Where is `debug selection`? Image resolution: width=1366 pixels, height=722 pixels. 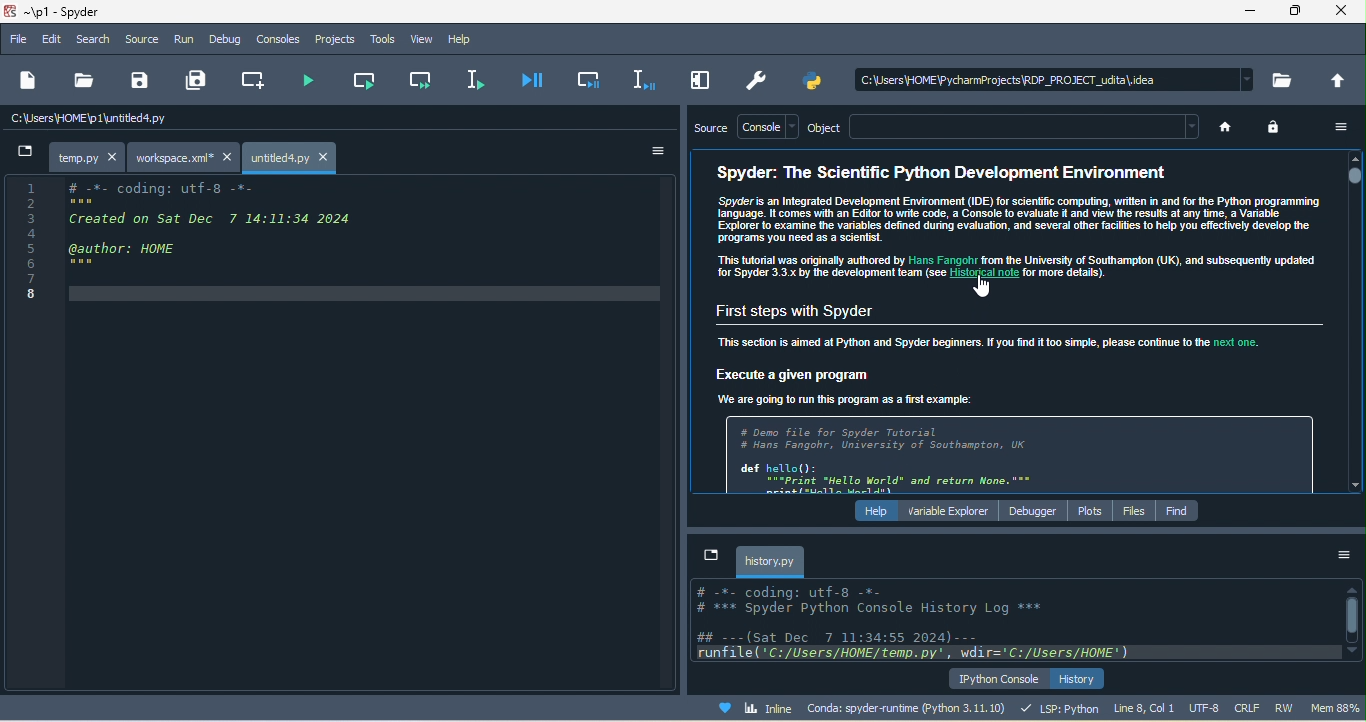
debug selection is located at coordinates (639, 78).